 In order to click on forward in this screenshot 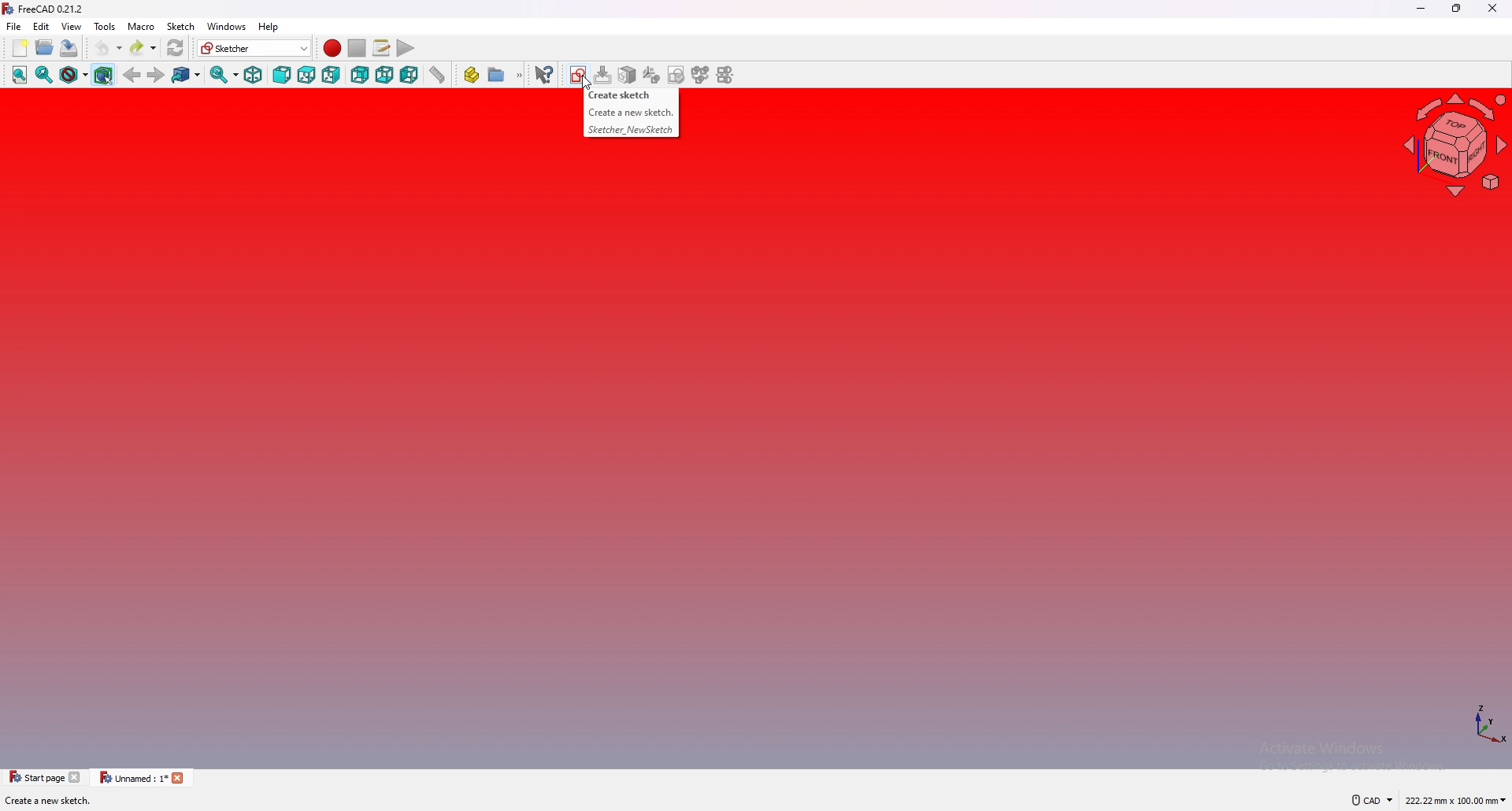, I will do `click(156, 76)`.